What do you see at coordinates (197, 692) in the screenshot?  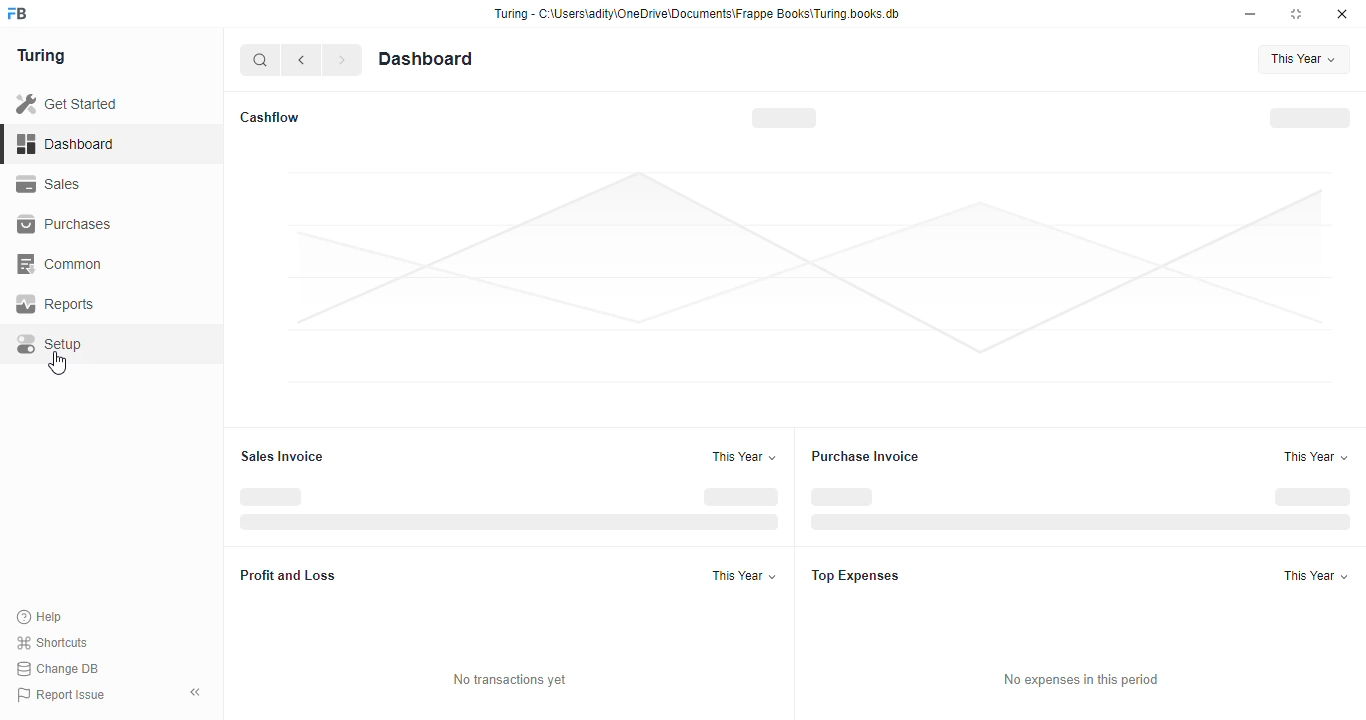 I see `collapse` at bounding box center [197, 692].